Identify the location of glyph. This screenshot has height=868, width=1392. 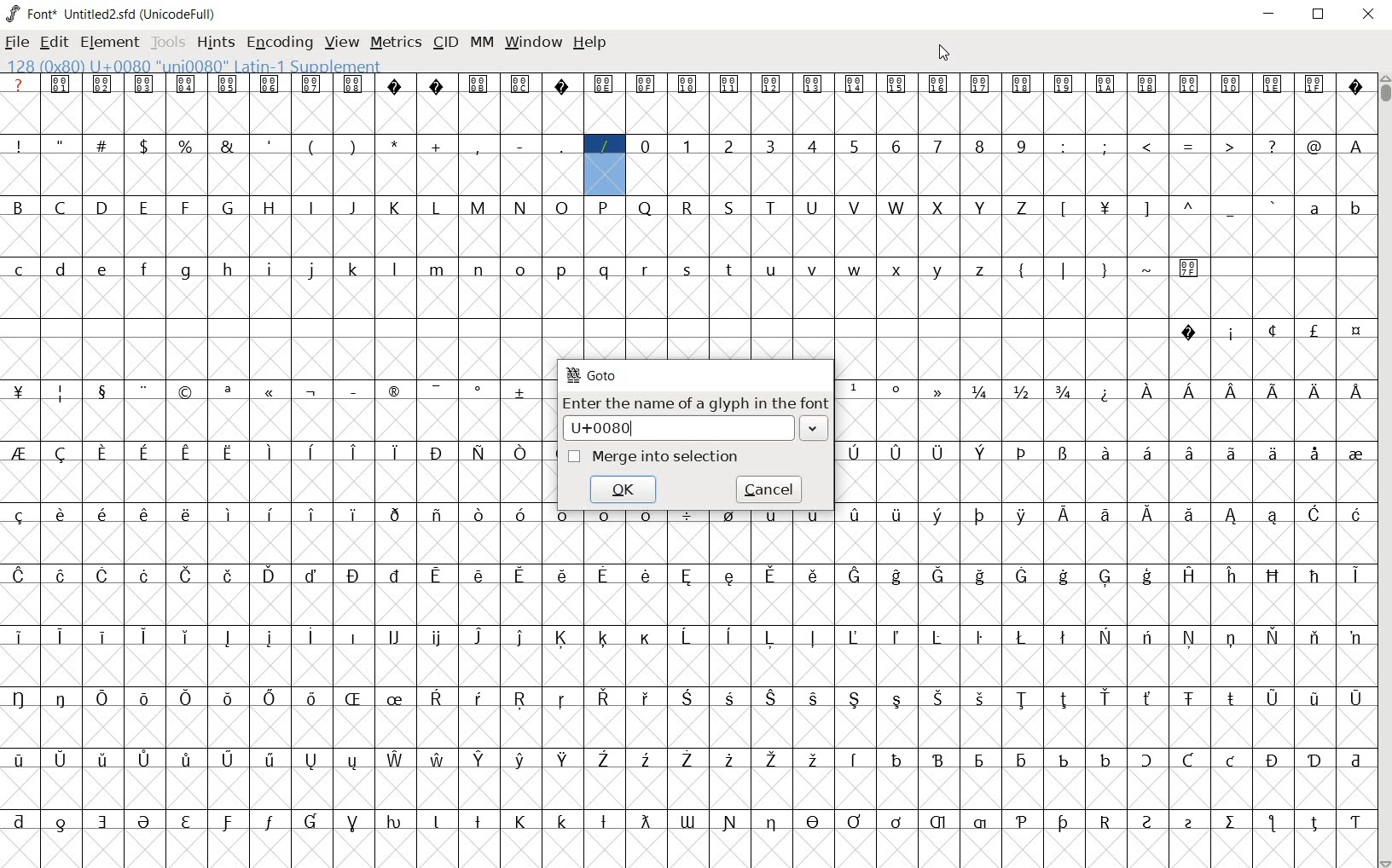
(144, 84).